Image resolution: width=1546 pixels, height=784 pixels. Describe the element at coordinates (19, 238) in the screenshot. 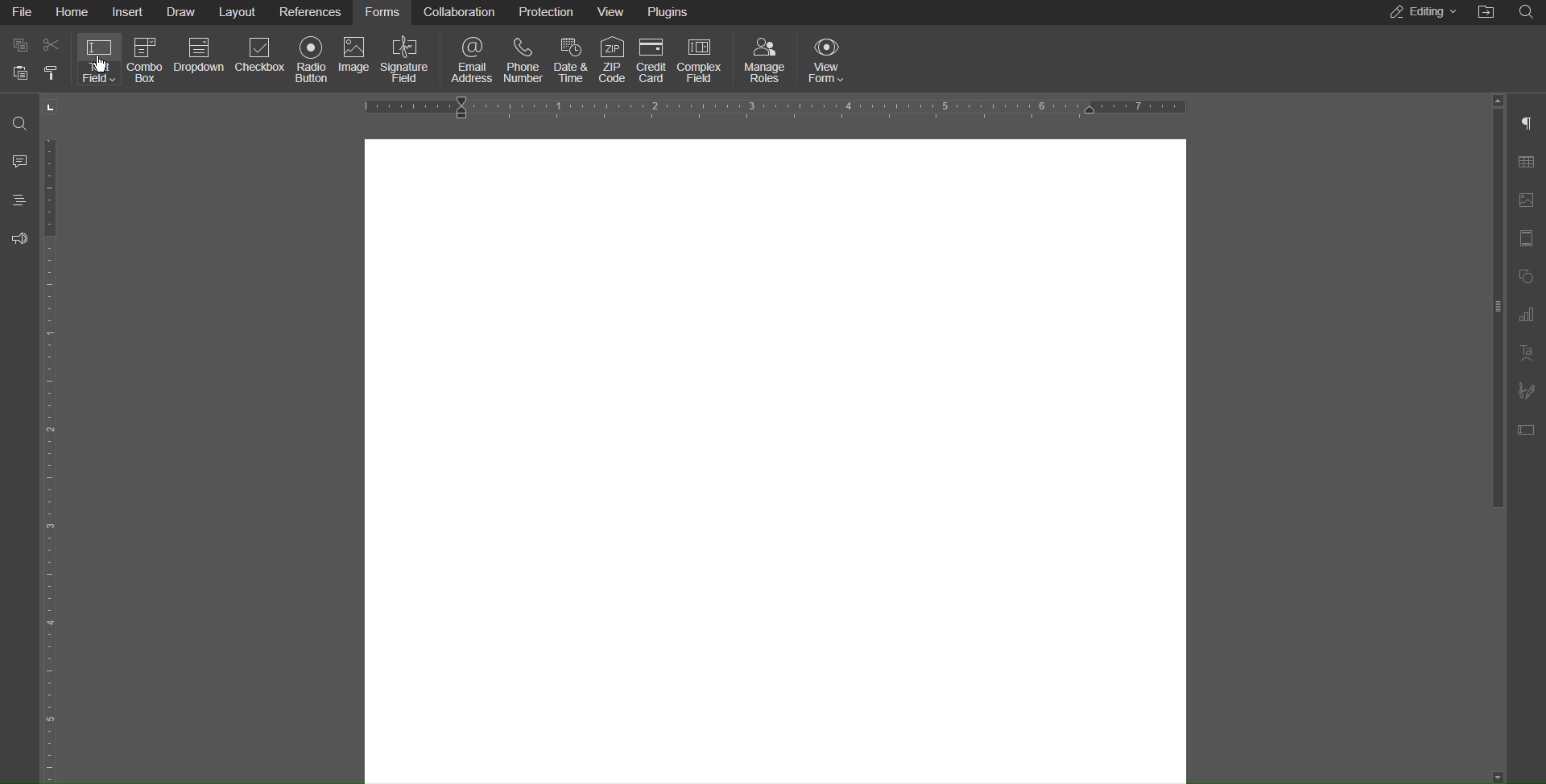

I see `Feedback and Support` at that location.